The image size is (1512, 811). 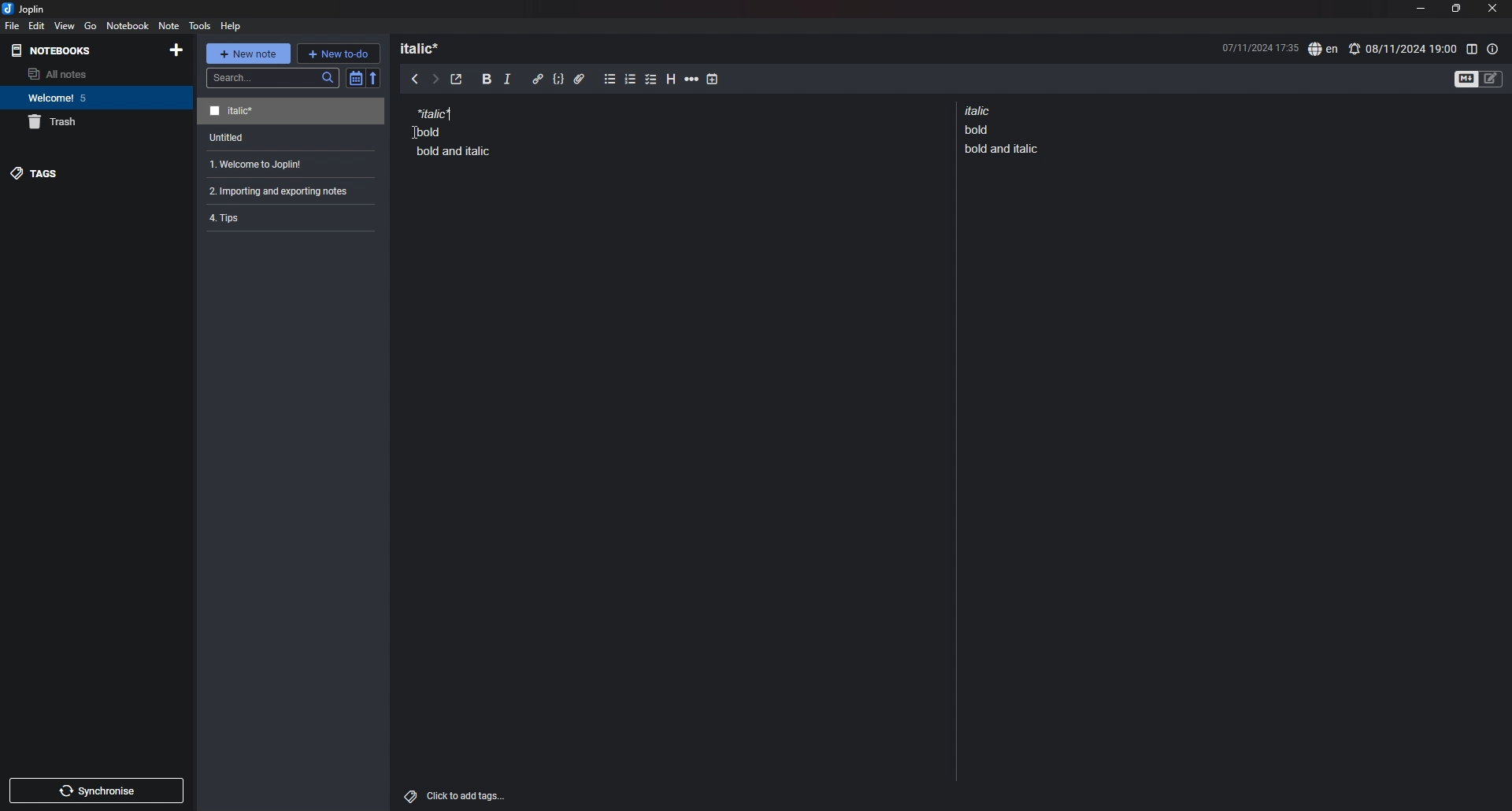 I want to click on go, so click(x=90, y=26).